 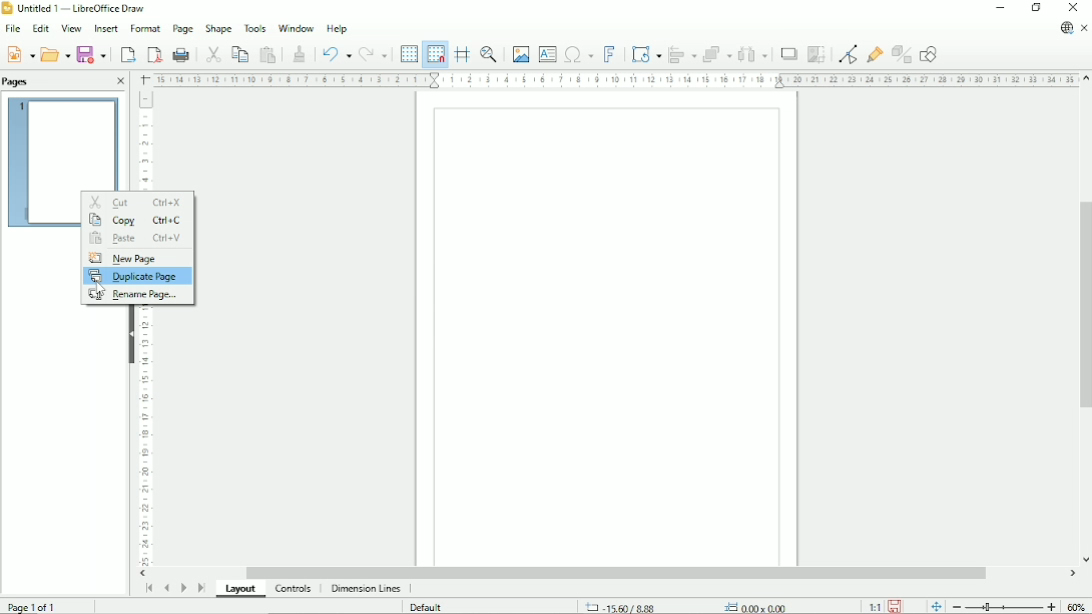 I want to click on Display grid, so click(x=408, y=53).